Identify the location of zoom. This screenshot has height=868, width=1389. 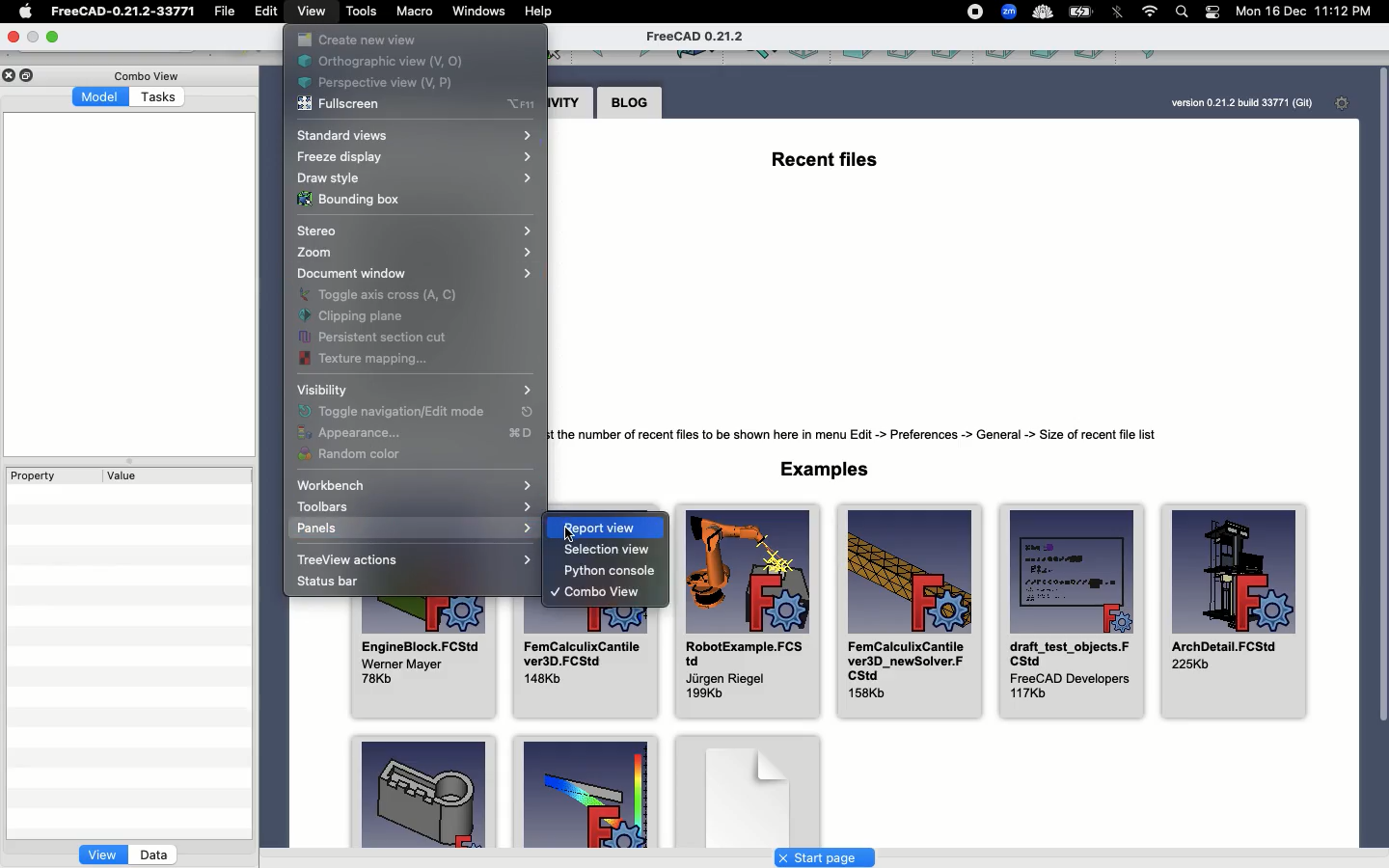
(1009, 12).